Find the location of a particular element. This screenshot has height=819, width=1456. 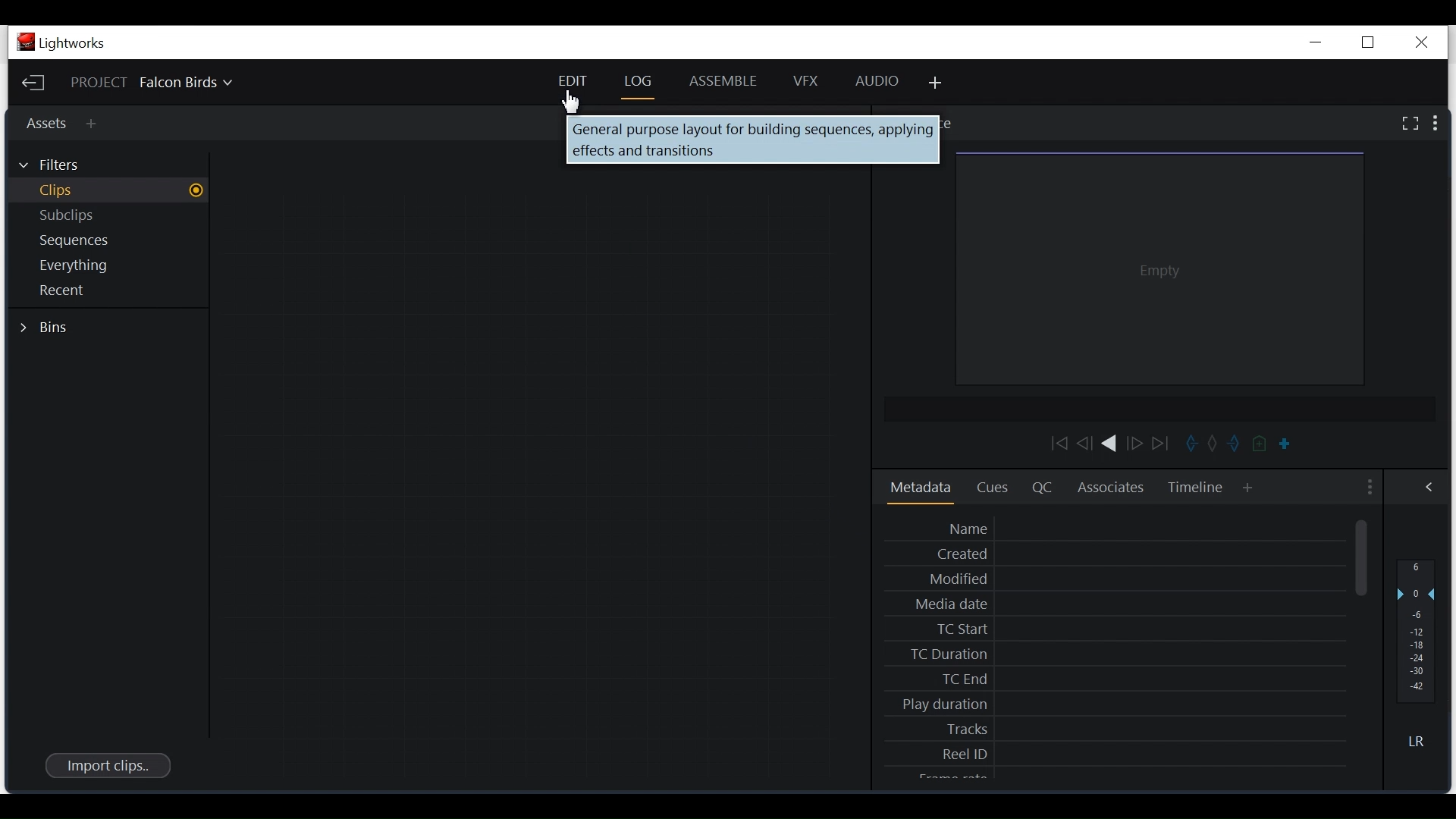

Close is located at coordinates (1420, 39).